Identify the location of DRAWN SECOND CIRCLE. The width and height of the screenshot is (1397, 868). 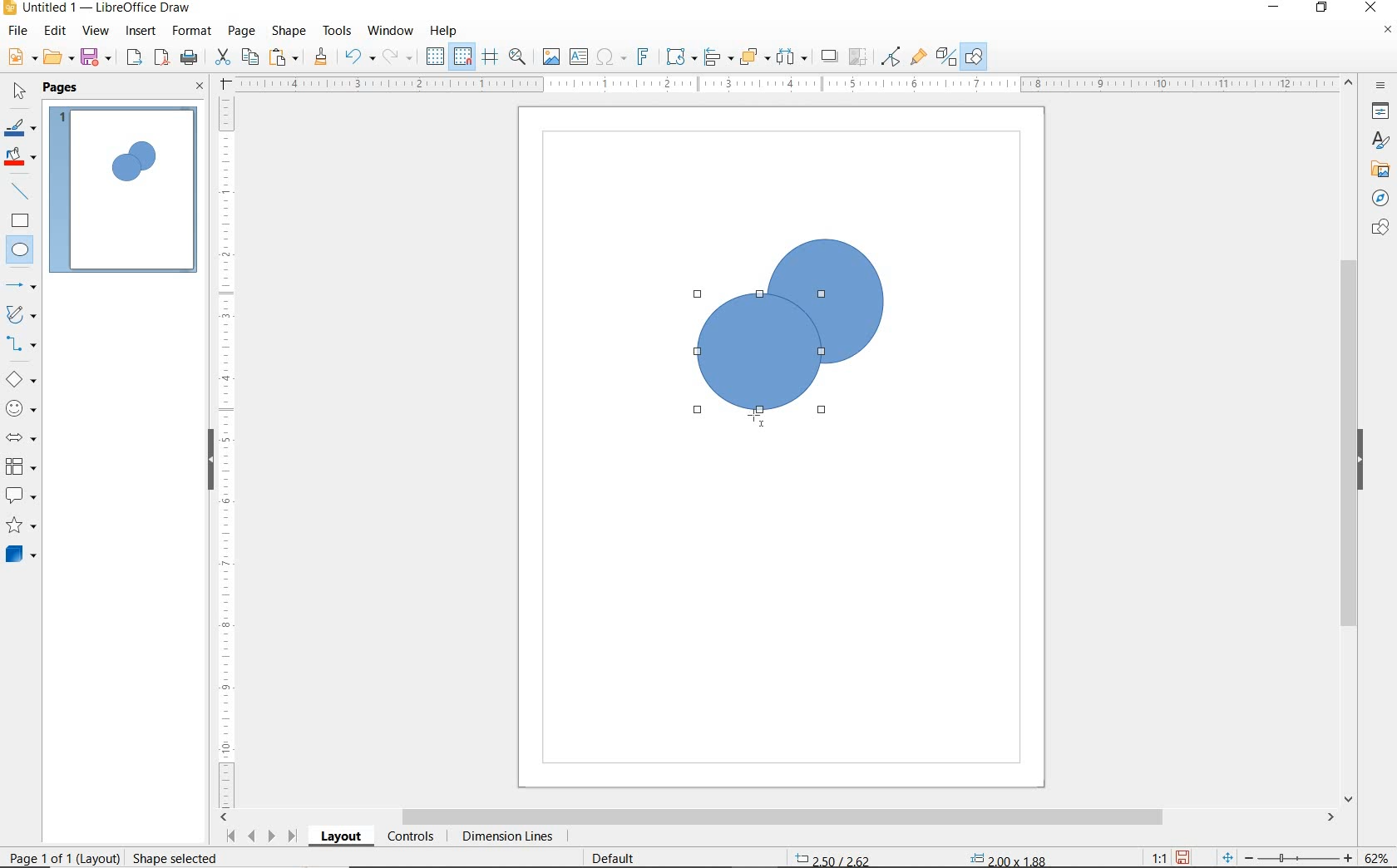
(760, 358).